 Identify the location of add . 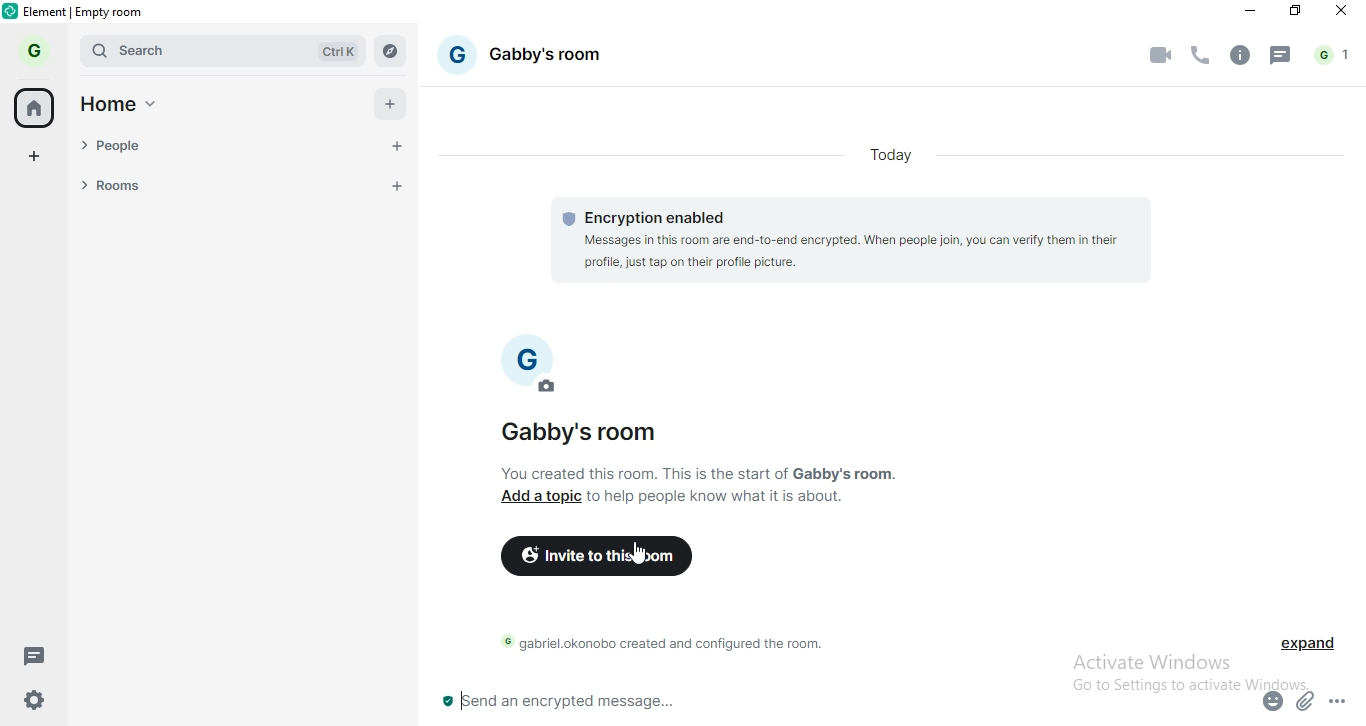
(394, 105).